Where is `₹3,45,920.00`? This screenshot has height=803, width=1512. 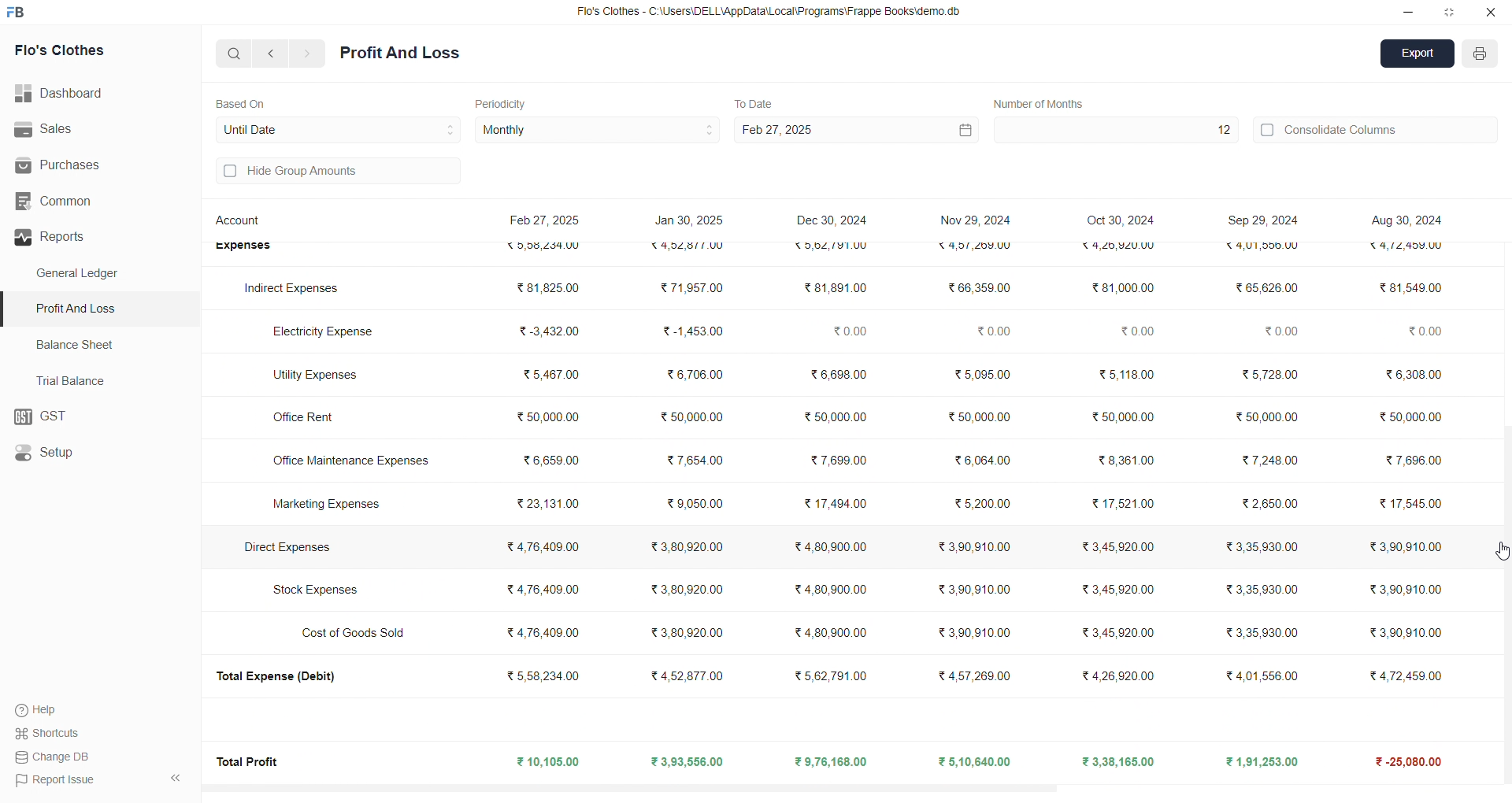
₹3,45,920.00 is located at coordinates (1120, 633).